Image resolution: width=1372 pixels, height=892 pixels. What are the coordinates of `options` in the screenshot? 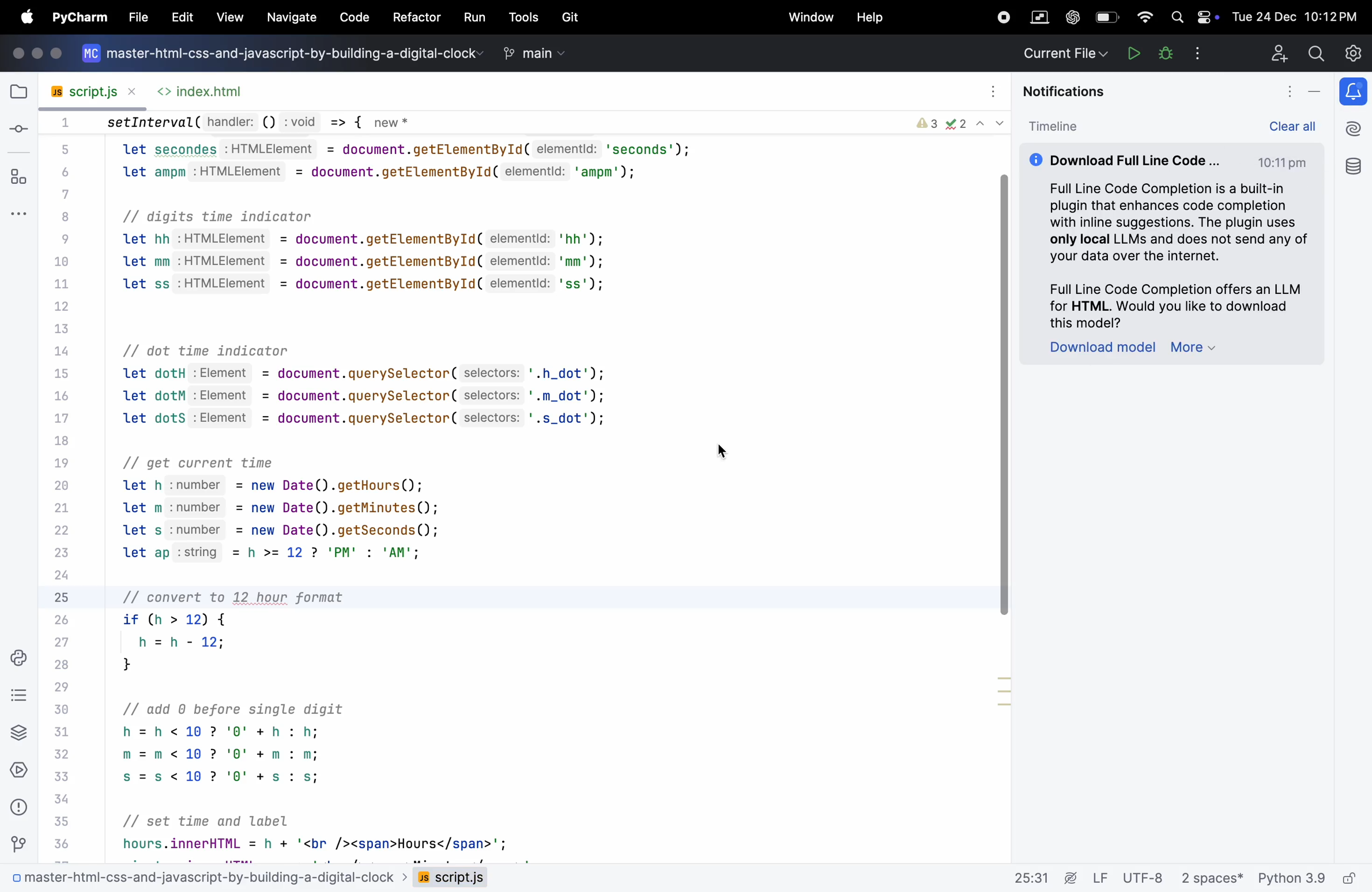 It's located at (1197, 53).